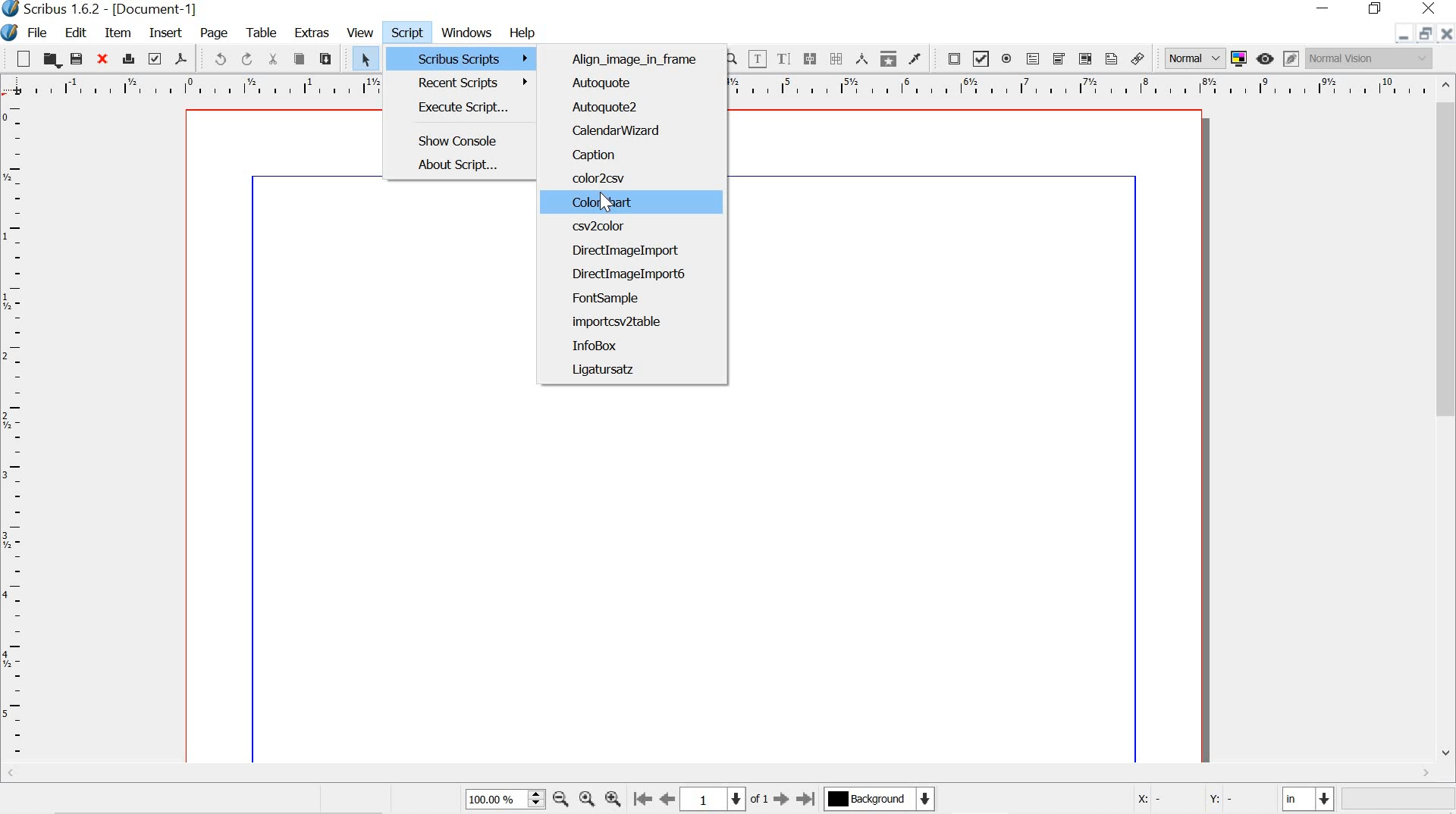 The height and width of the screenshot is (814, 1456). Describe the element at coordinates (52, 60) in the screenshot. I see `open` at that location.